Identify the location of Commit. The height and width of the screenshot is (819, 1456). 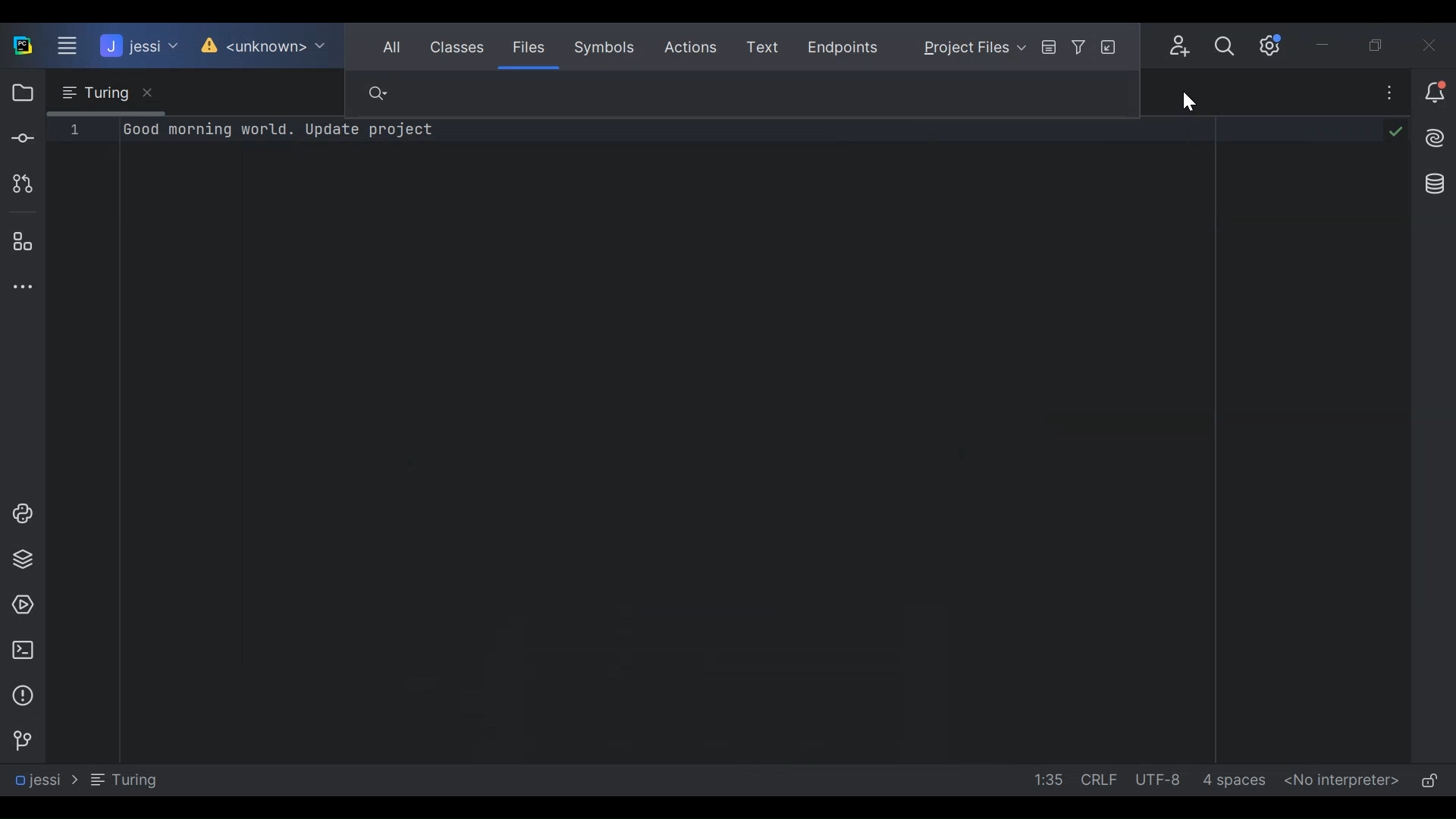
(22, 138).